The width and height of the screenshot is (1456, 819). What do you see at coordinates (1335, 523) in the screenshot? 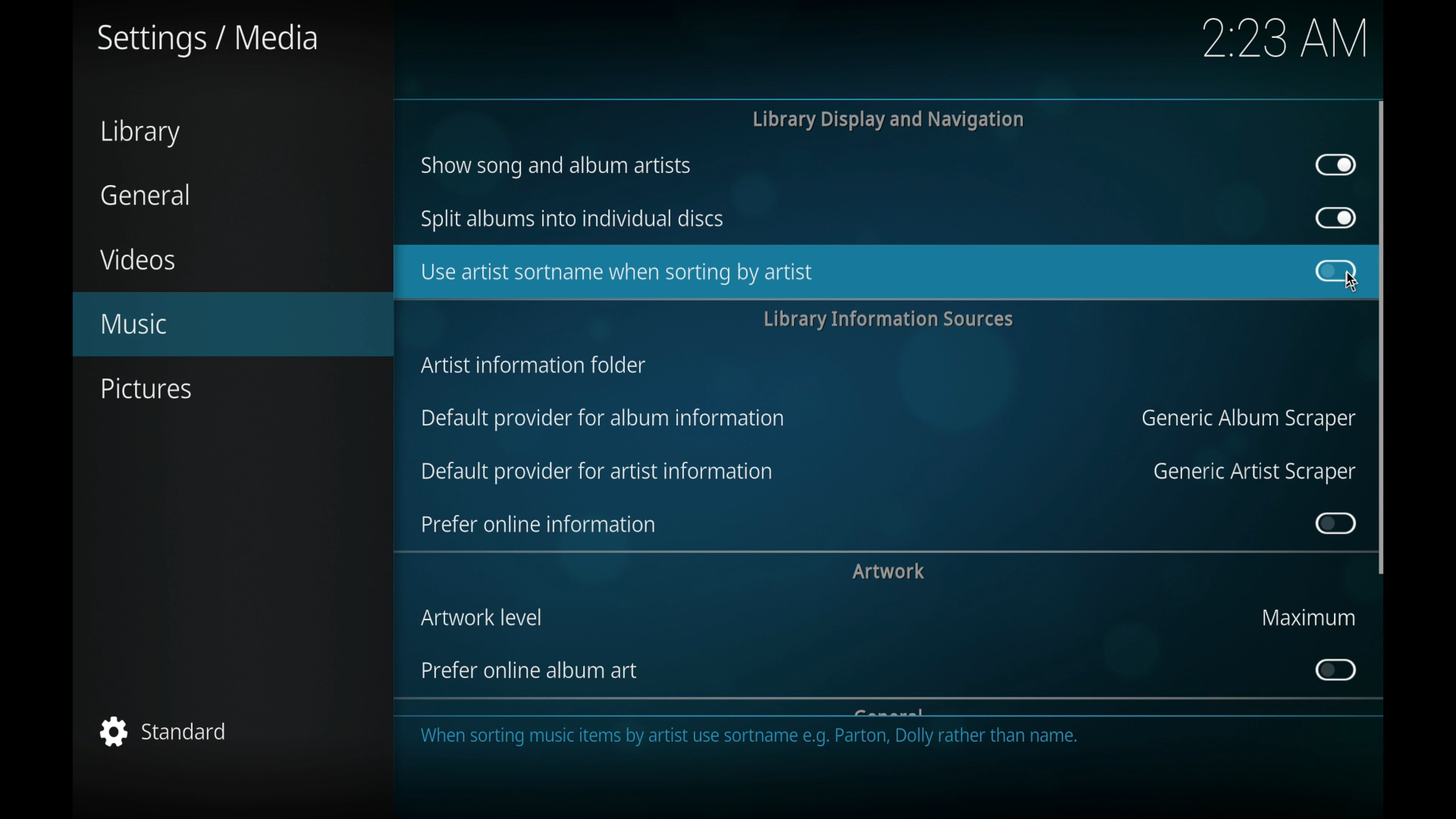
I see `toggle button` at bounding box center [1335, 523].